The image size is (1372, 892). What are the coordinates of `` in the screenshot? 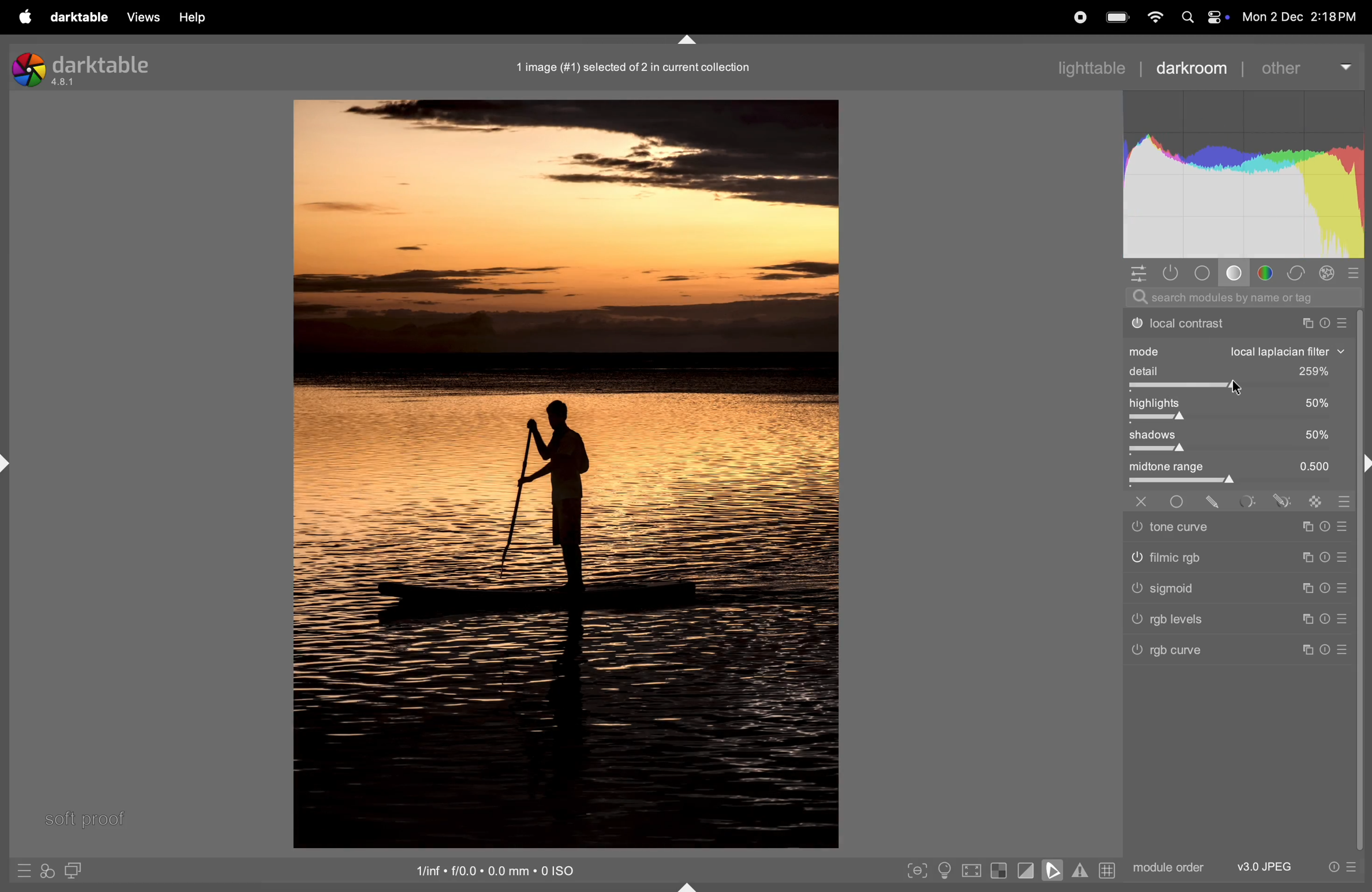 It's located at (1328, 650).